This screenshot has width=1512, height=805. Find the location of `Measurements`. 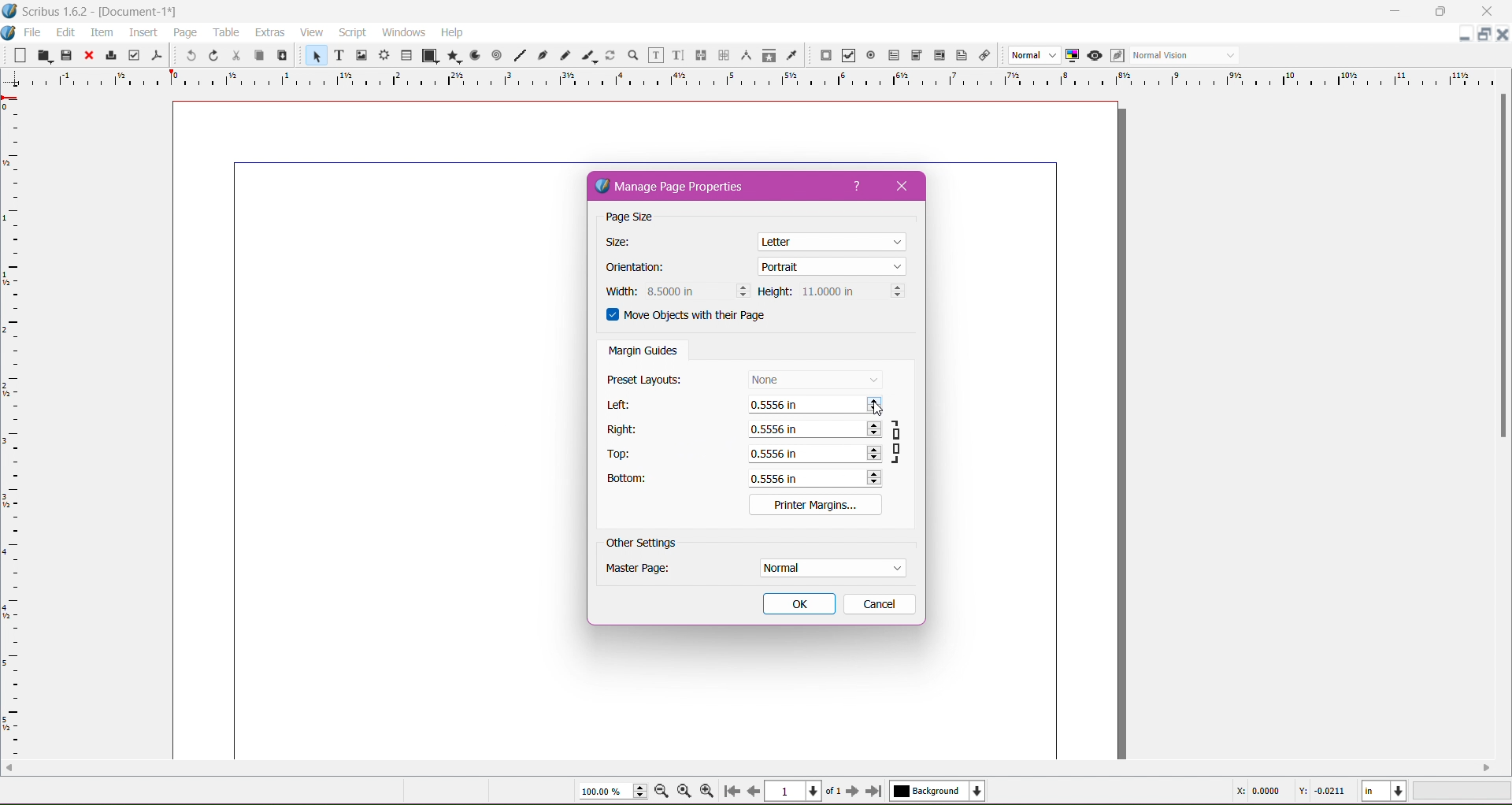

Measurements is located at coordinates (745, 55).